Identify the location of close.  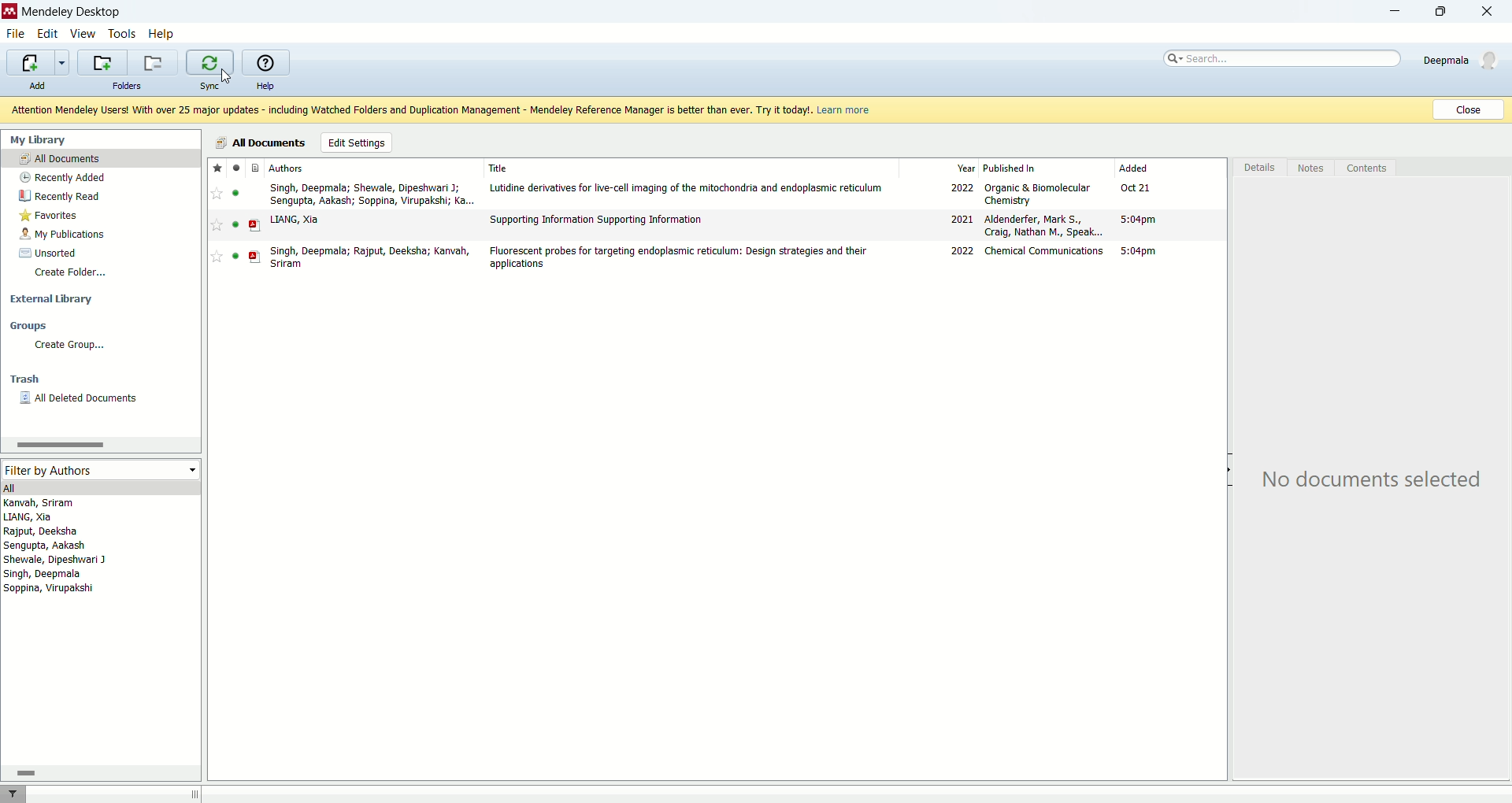
(1488, 12).